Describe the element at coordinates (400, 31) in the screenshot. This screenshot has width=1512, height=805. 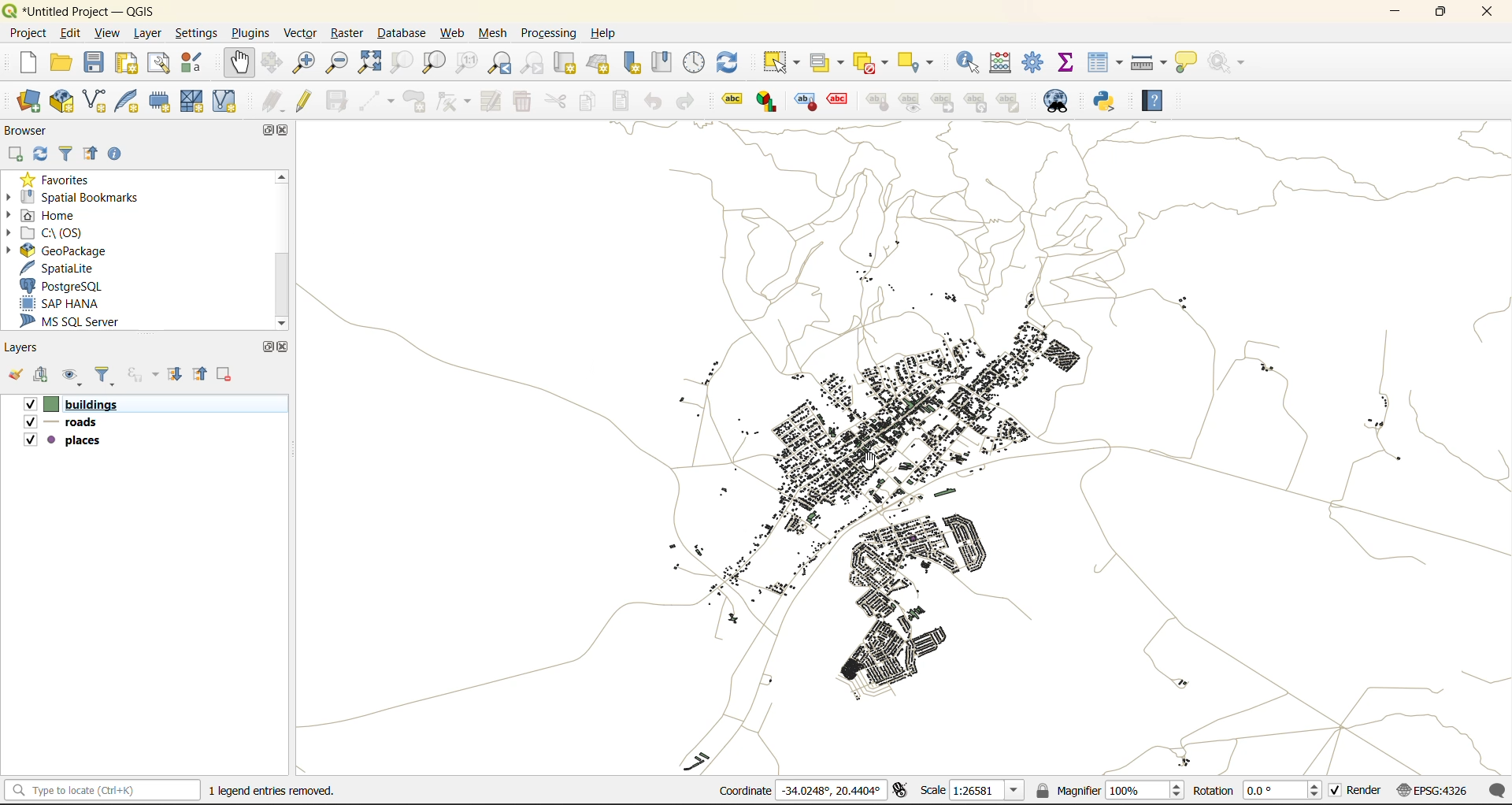
I see `database` at that location.